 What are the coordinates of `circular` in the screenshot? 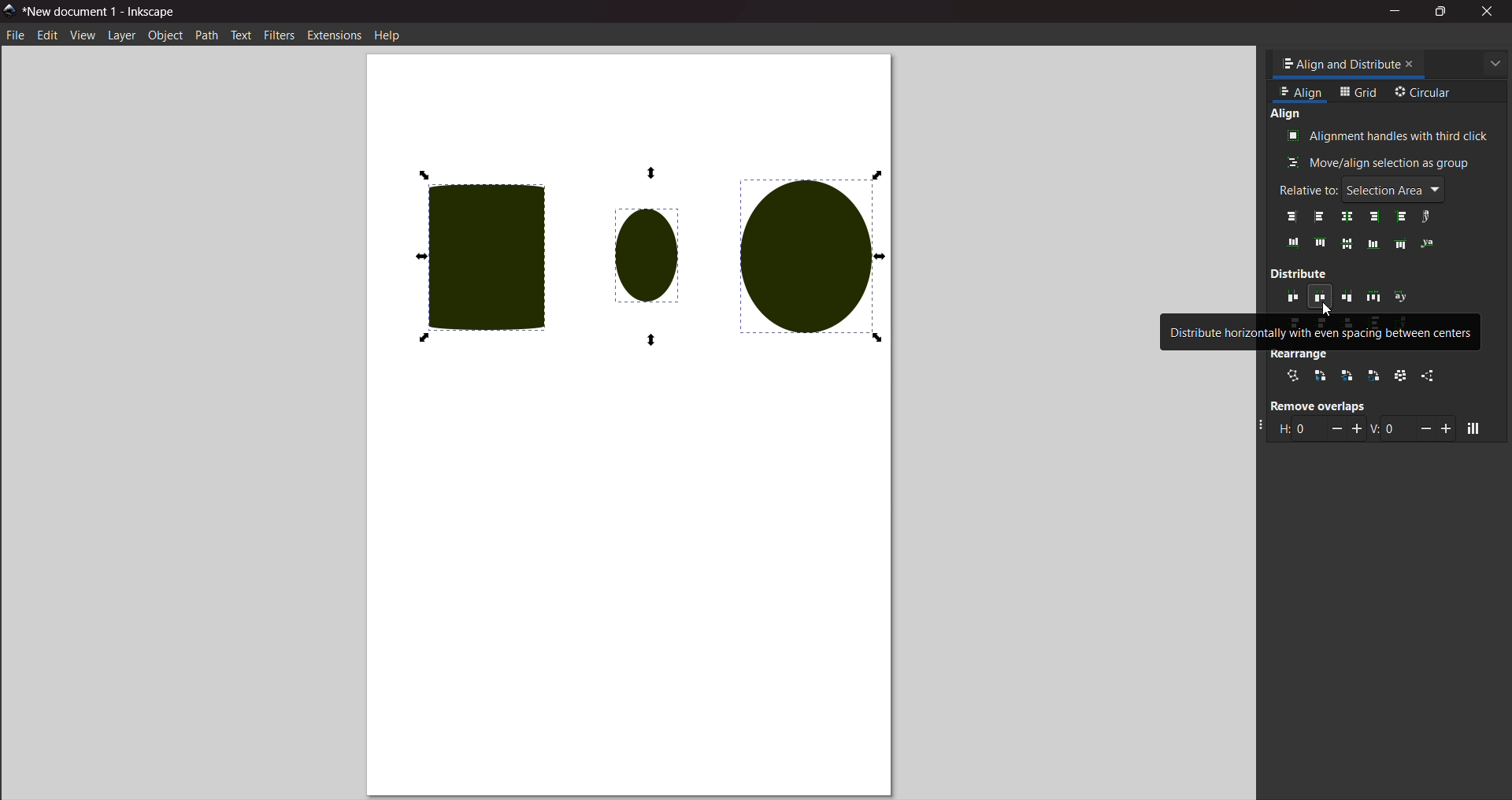 It's located at (1425, 93).